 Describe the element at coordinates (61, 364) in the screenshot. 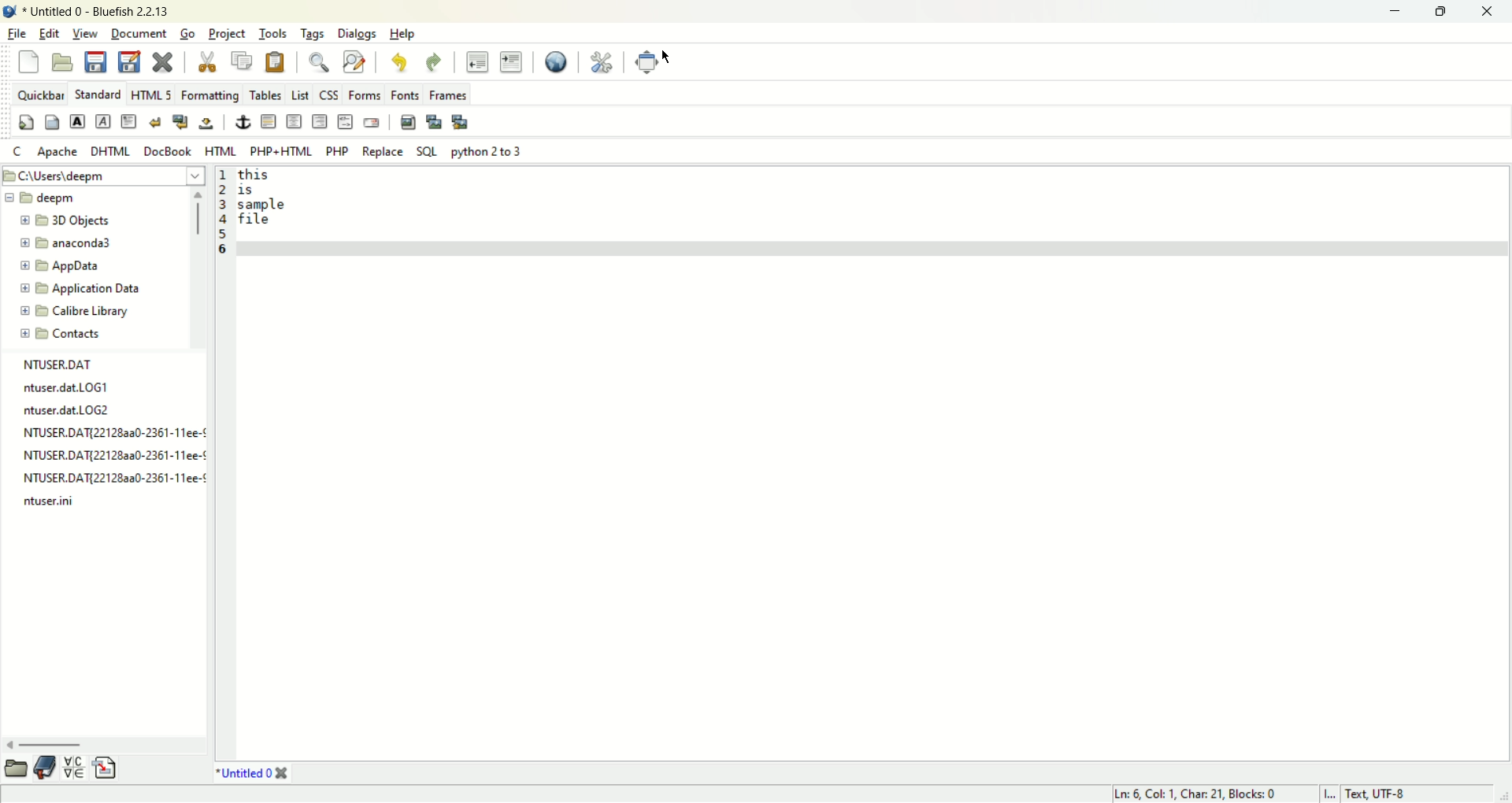

I see `NTUSER.DAT` at that location.